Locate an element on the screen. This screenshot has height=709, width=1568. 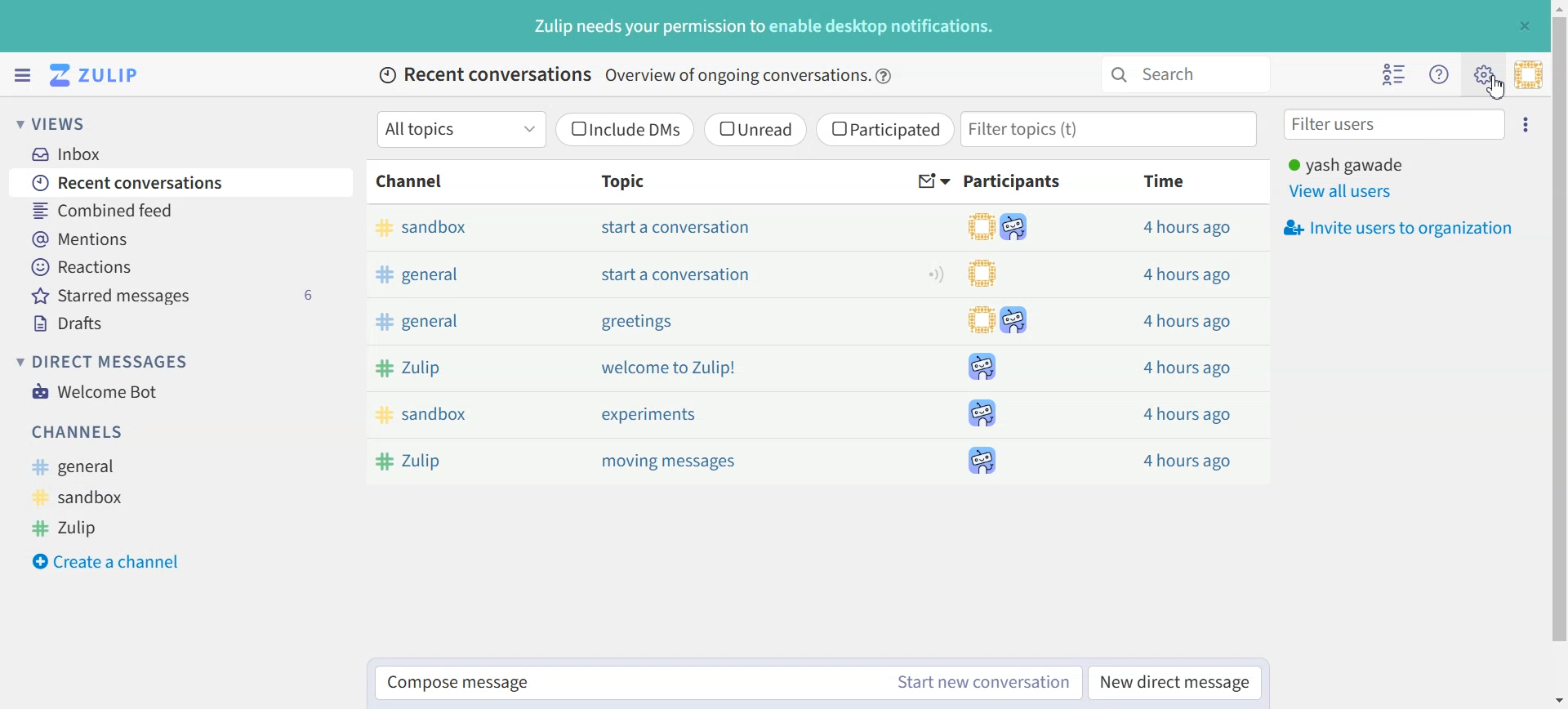
Unread is located at coordinates (755, 129).